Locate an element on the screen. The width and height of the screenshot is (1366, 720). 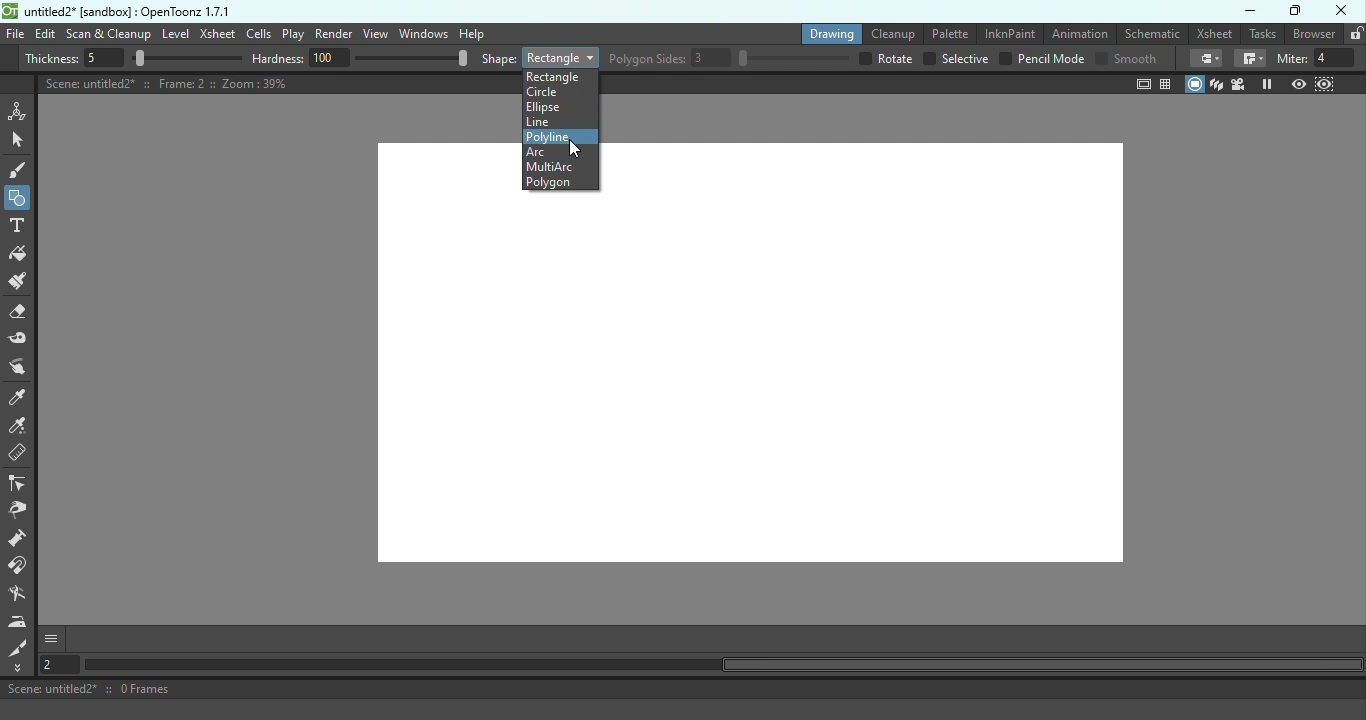
Sub-camera preview is located at coordinates (1323, 83).